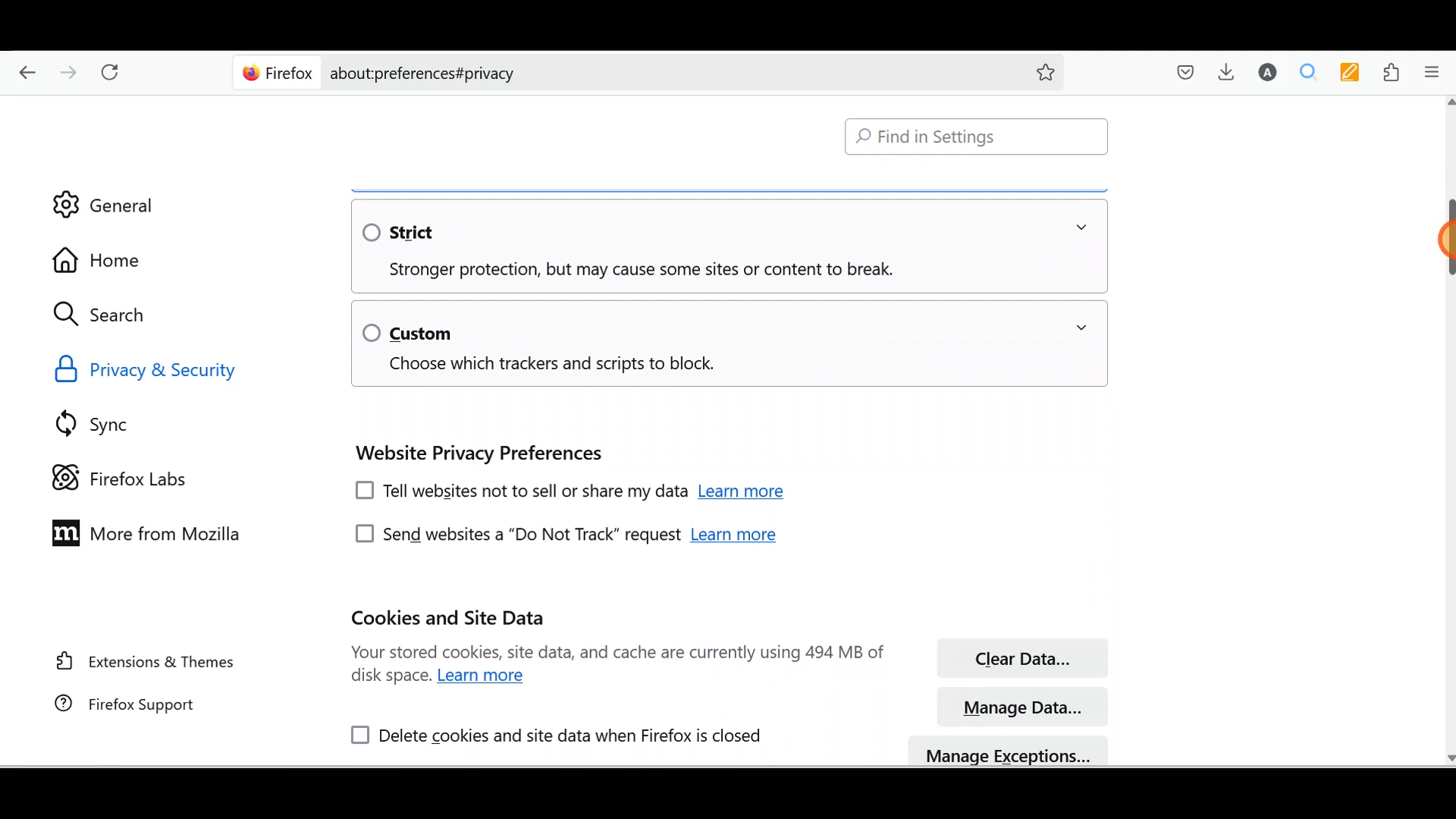  I want to click on expand, so click(1081, 328).